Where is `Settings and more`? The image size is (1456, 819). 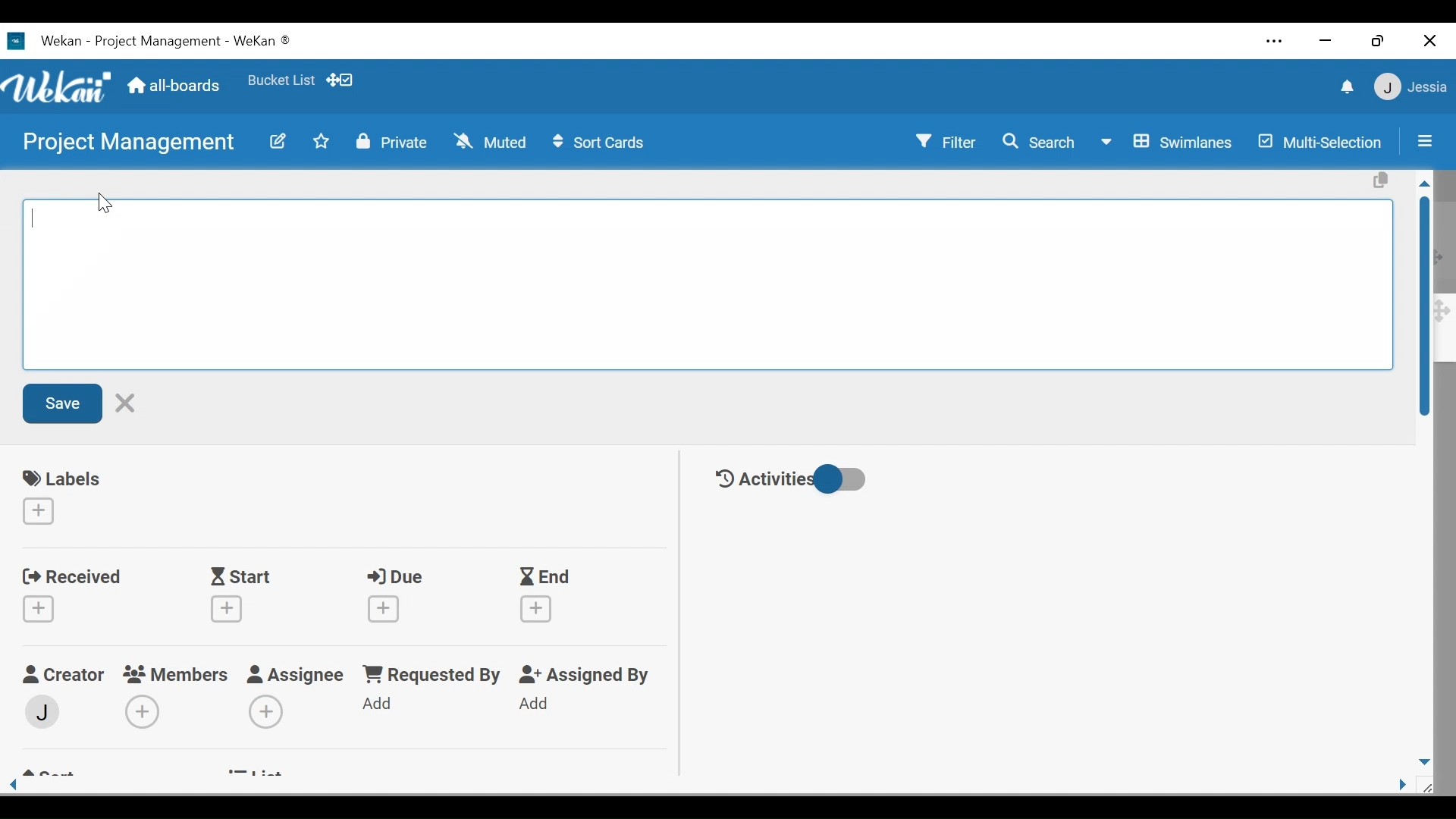
Settings and more is located at coordinates (1276, 42).